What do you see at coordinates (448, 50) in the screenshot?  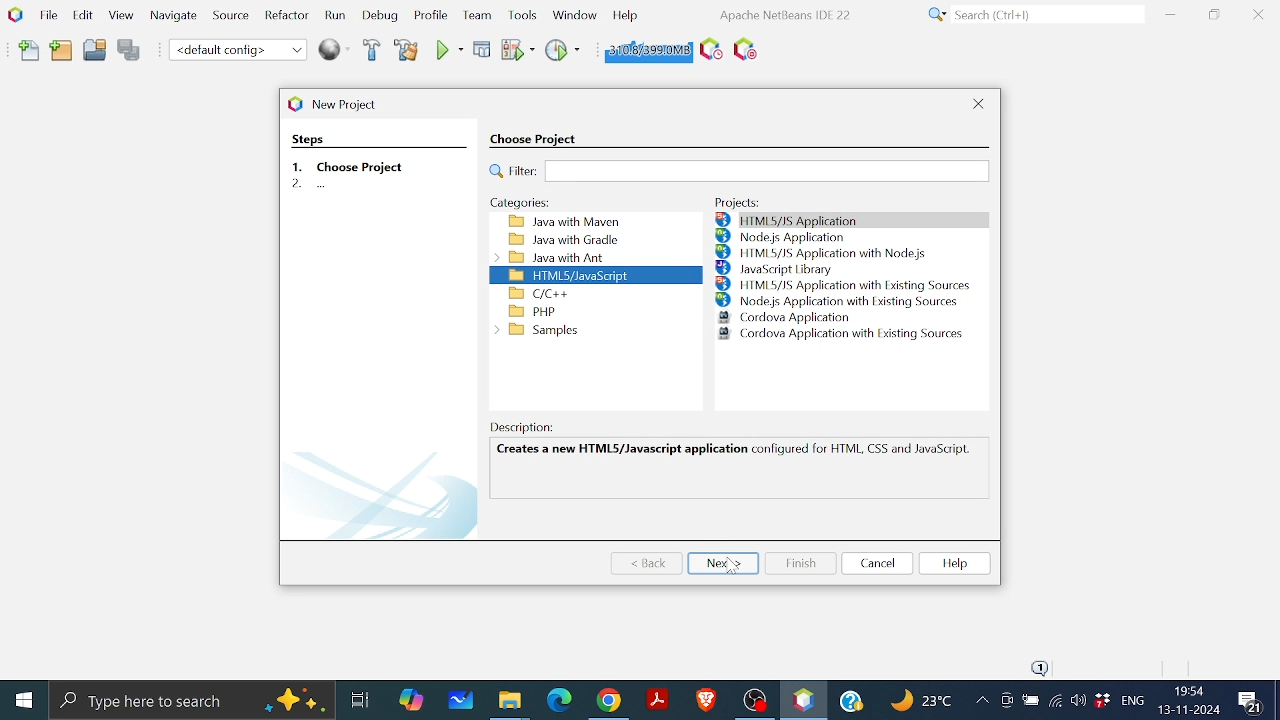 I see `Run` at bounding box center [448, 50].